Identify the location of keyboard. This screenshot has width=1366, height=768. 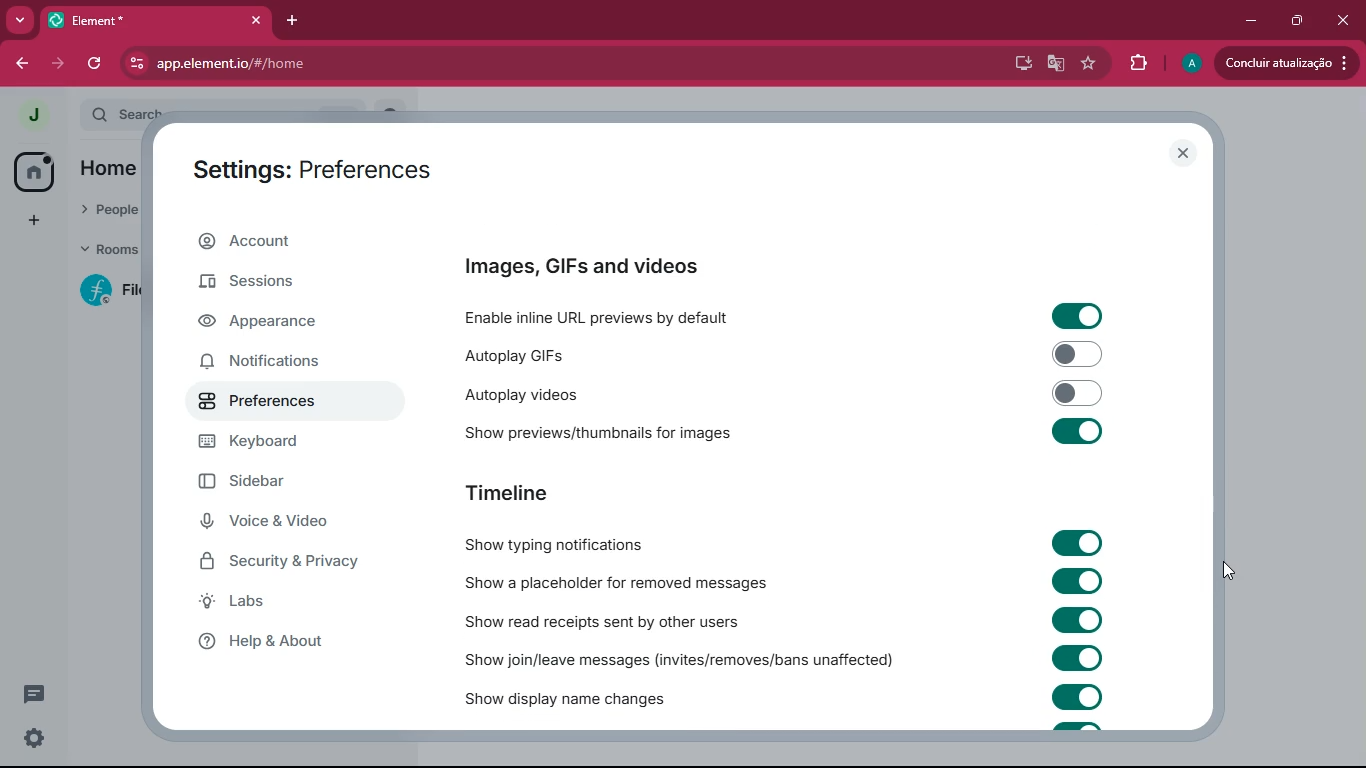
(283, 445).